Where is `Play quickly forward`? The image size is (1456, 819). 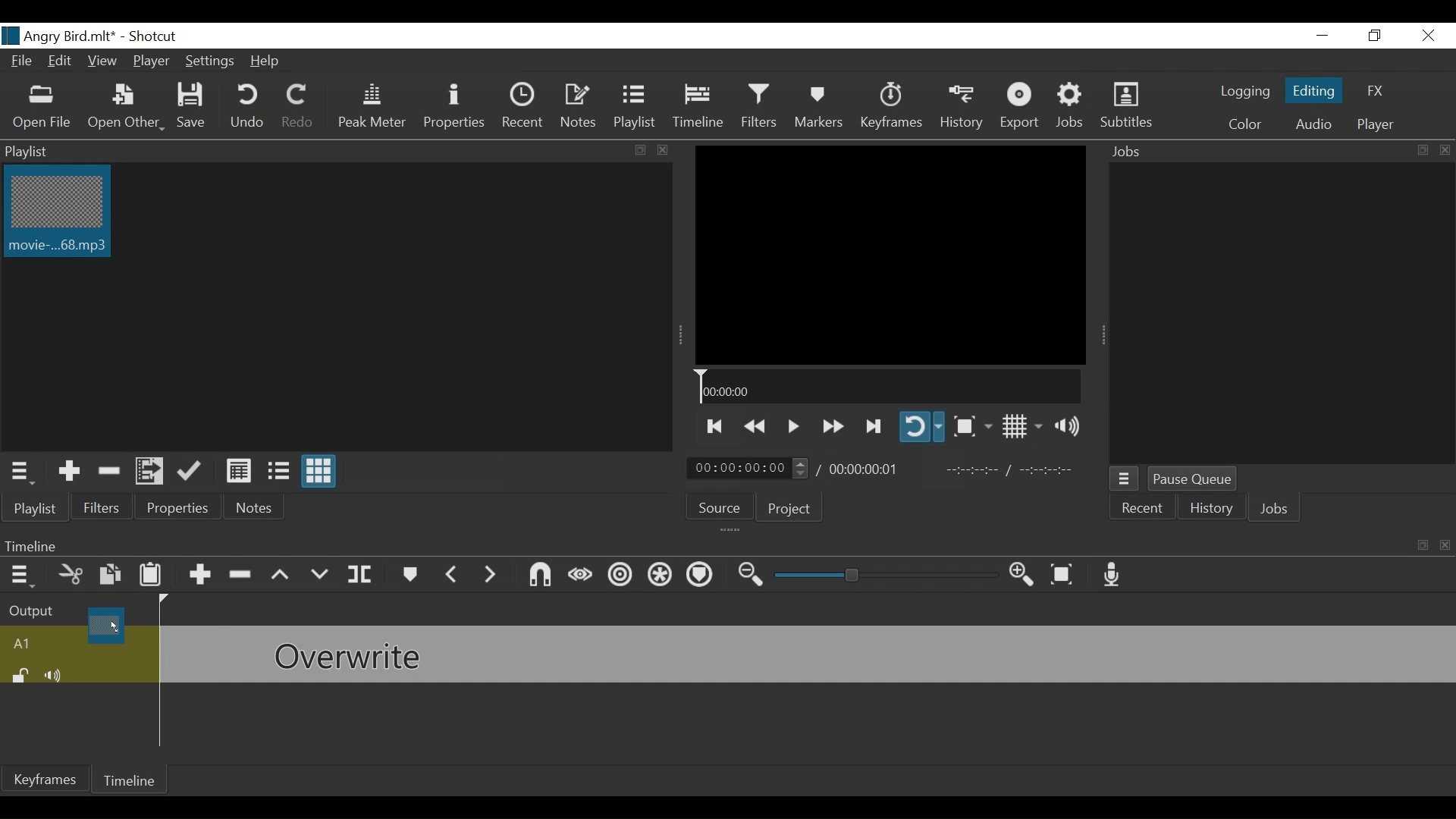
Play quickly forward is located at coordinates (831, 425).